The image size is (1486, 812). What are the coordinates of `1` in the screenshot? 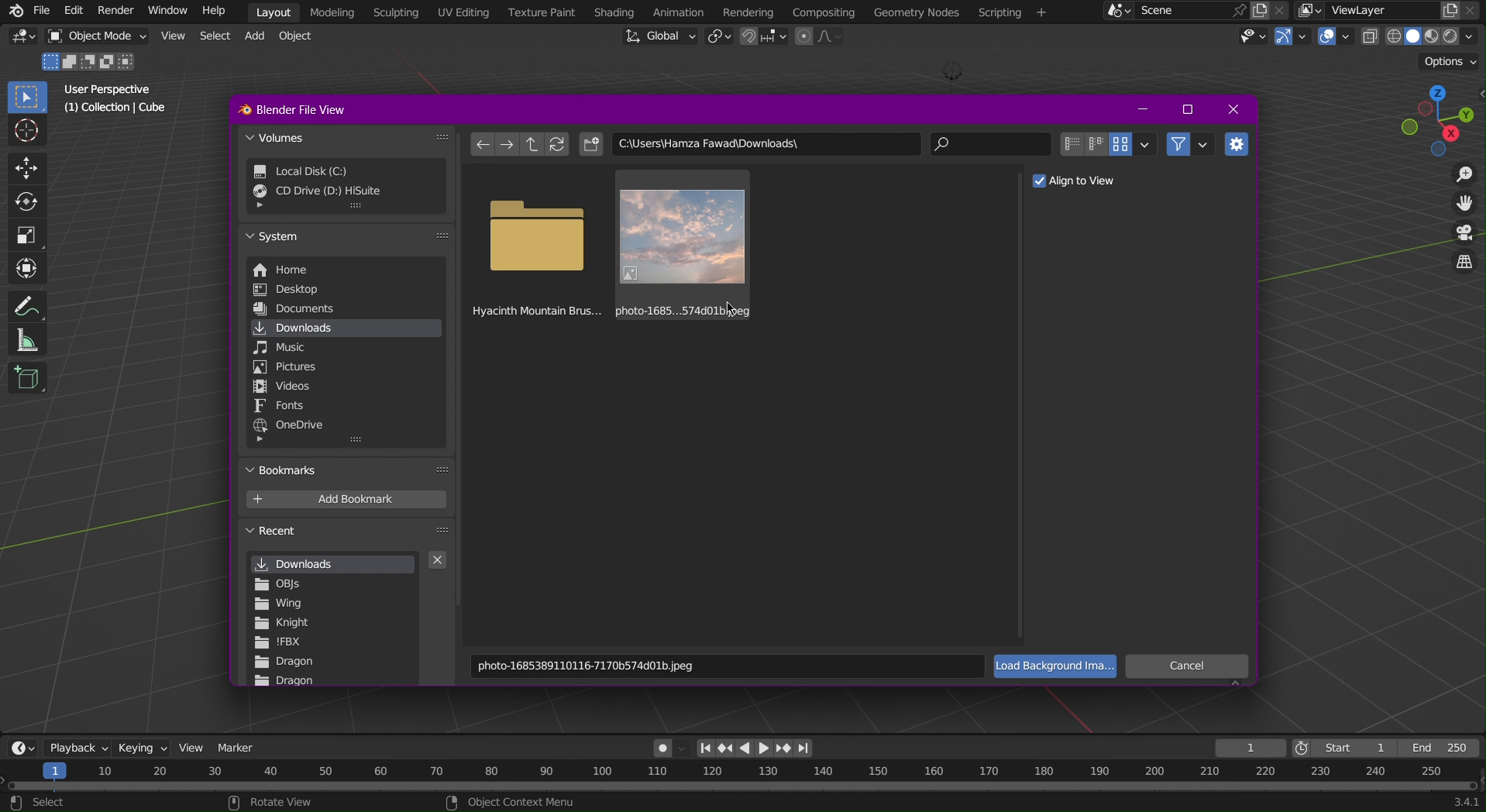 It's located at (1252, 745).